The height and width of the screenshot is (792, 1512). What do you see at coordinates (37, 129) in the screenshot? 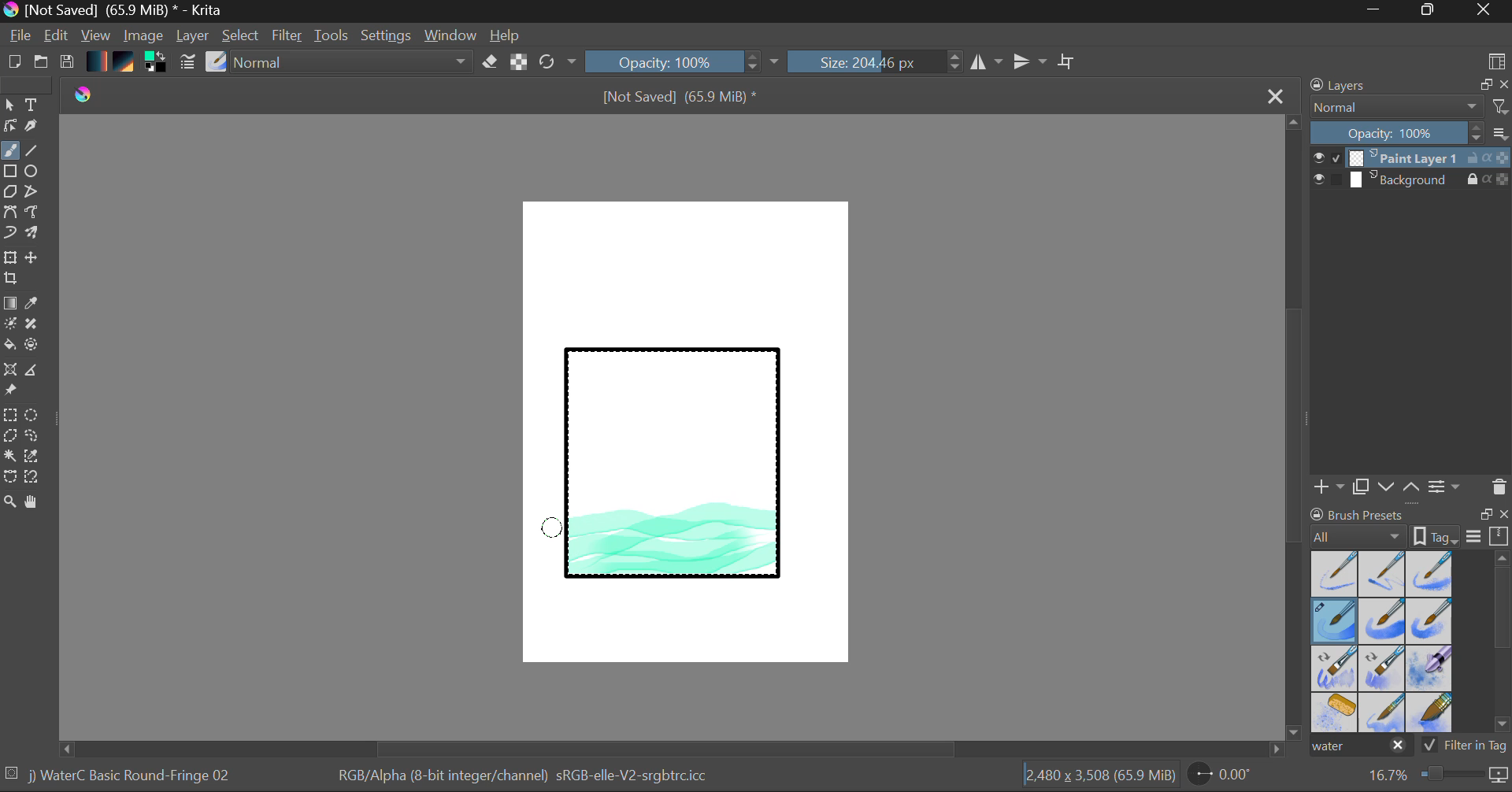
I see `Calligraphic Tool` at bounding box center [37, 129].